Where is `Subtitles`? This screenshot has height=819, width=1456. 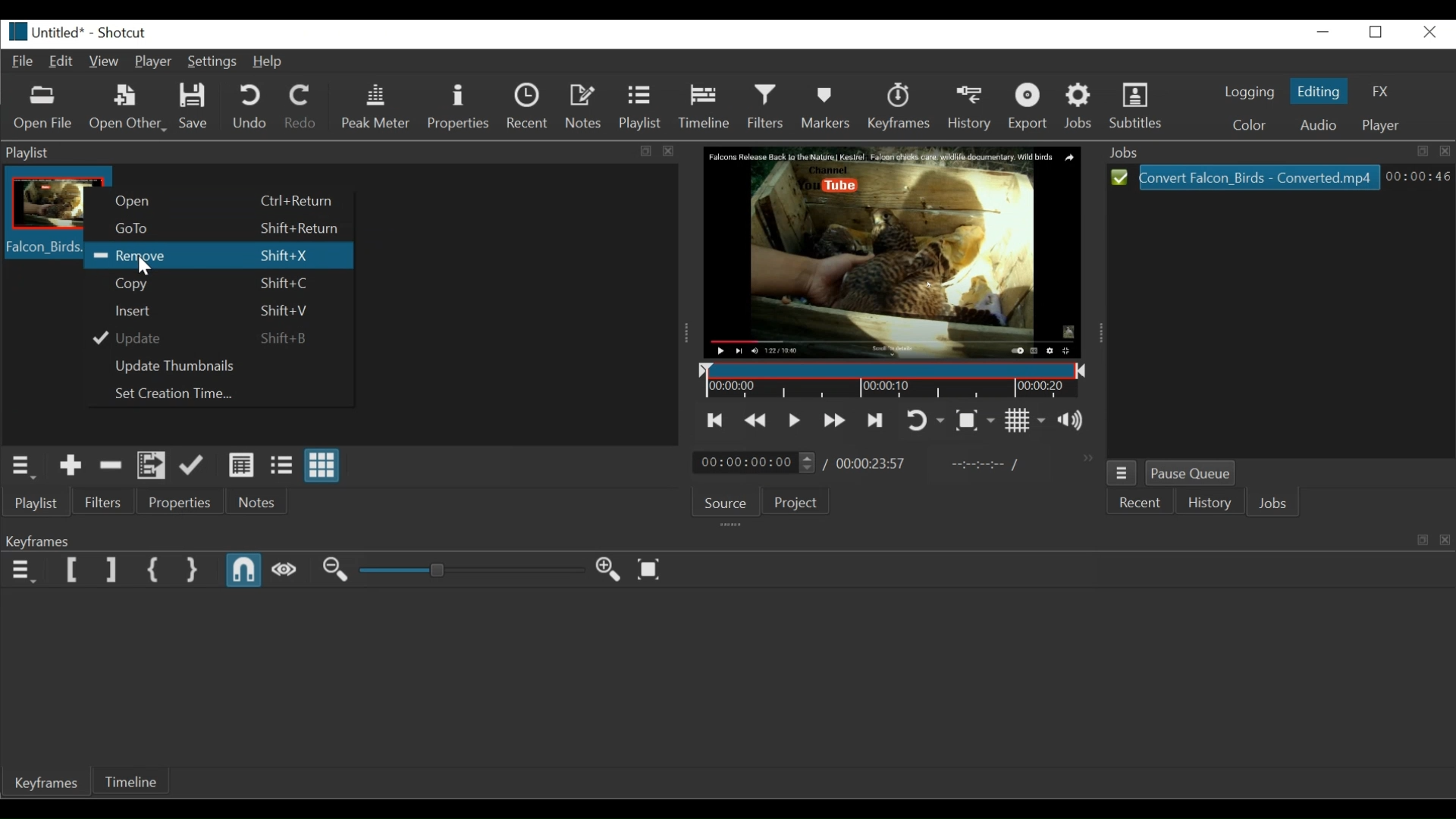
Subtitles is located at coordinates (1141, 107).